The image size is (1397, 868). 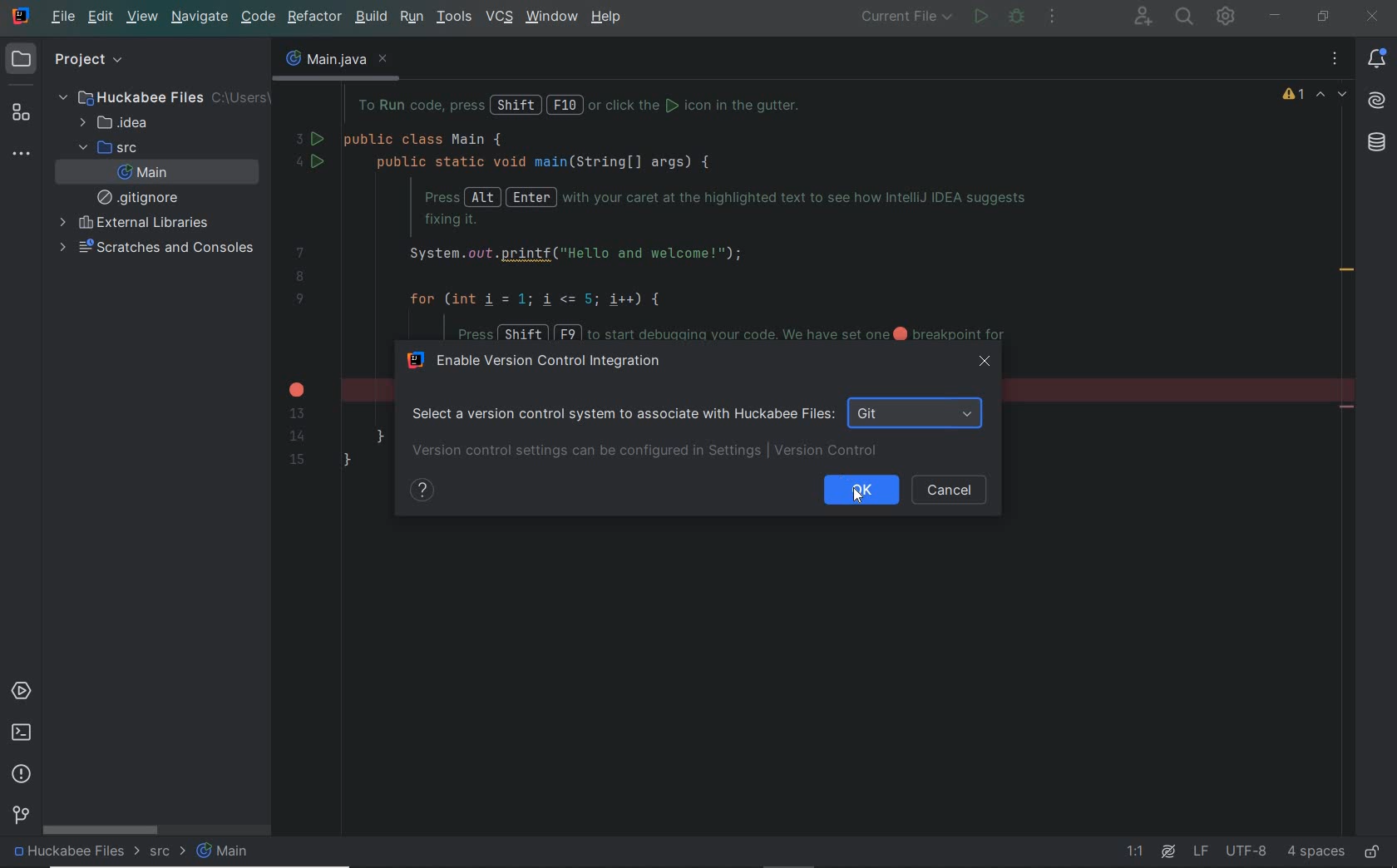 I want to click on build, so click(x=373, y=17).